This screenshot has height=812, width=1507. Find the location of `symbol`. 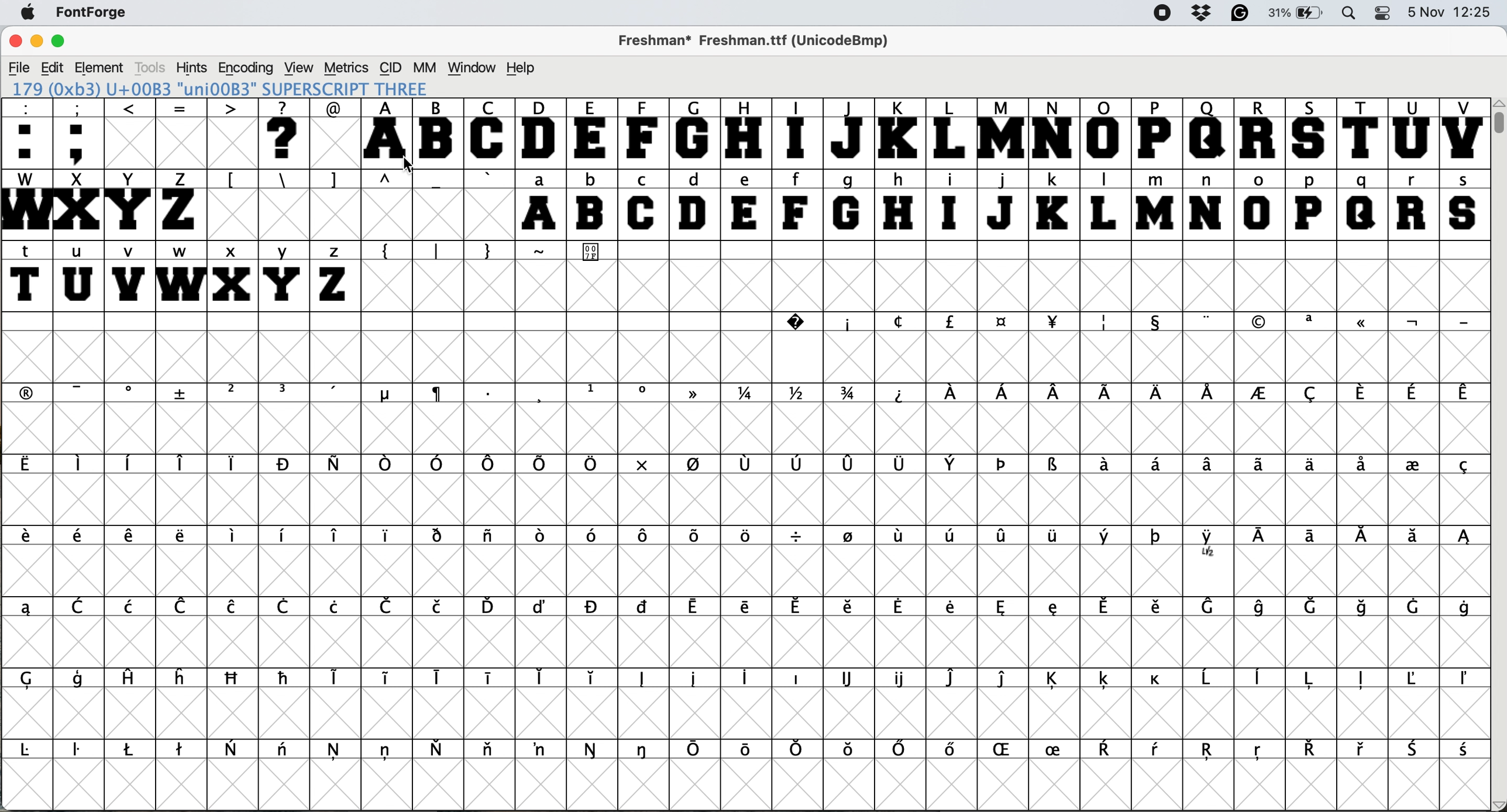

symbol is located at coordinates (1162, 608).